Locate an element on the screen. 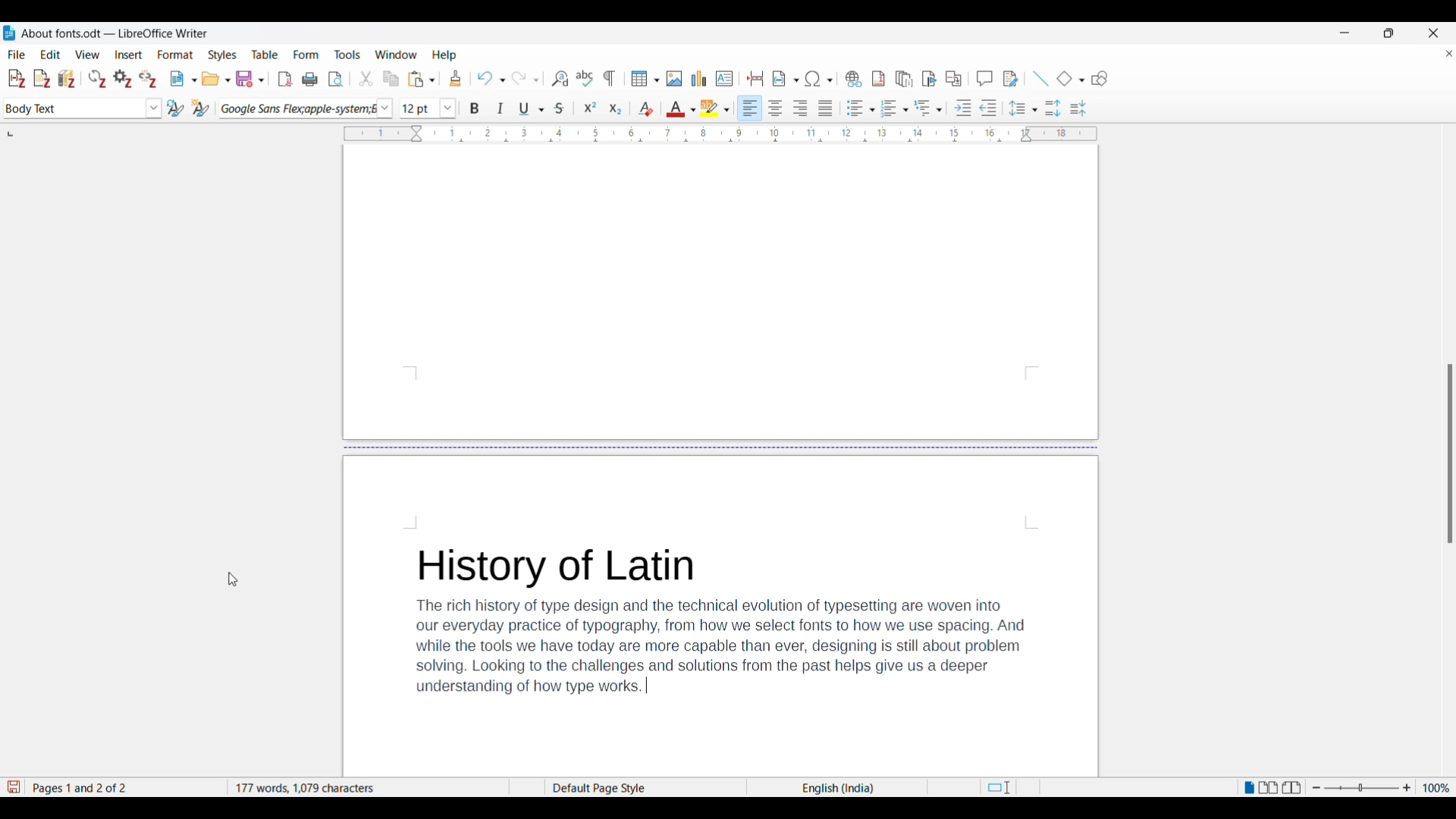 The width and height of the screenshot is (1456, 819). Increase indentation is located at coordinates (963, 108).